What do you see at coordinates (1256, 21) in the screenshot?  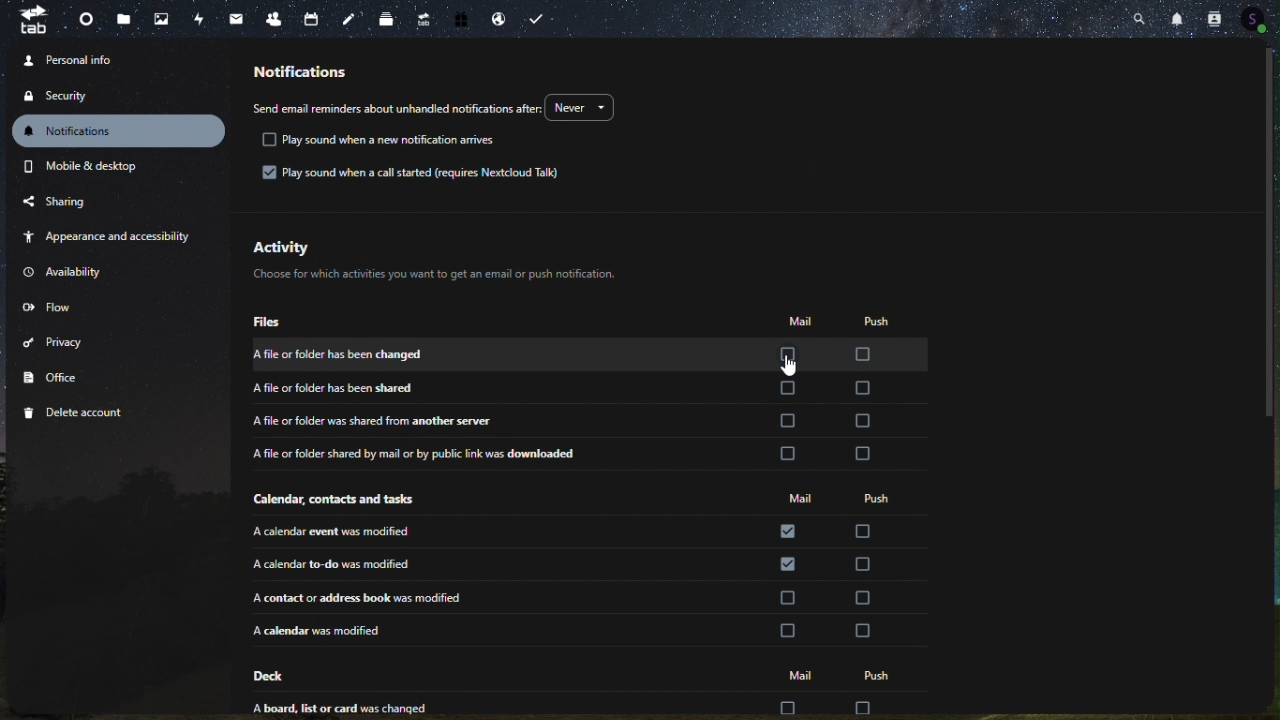 I see `account icon` at bounding box center [1256, 21].